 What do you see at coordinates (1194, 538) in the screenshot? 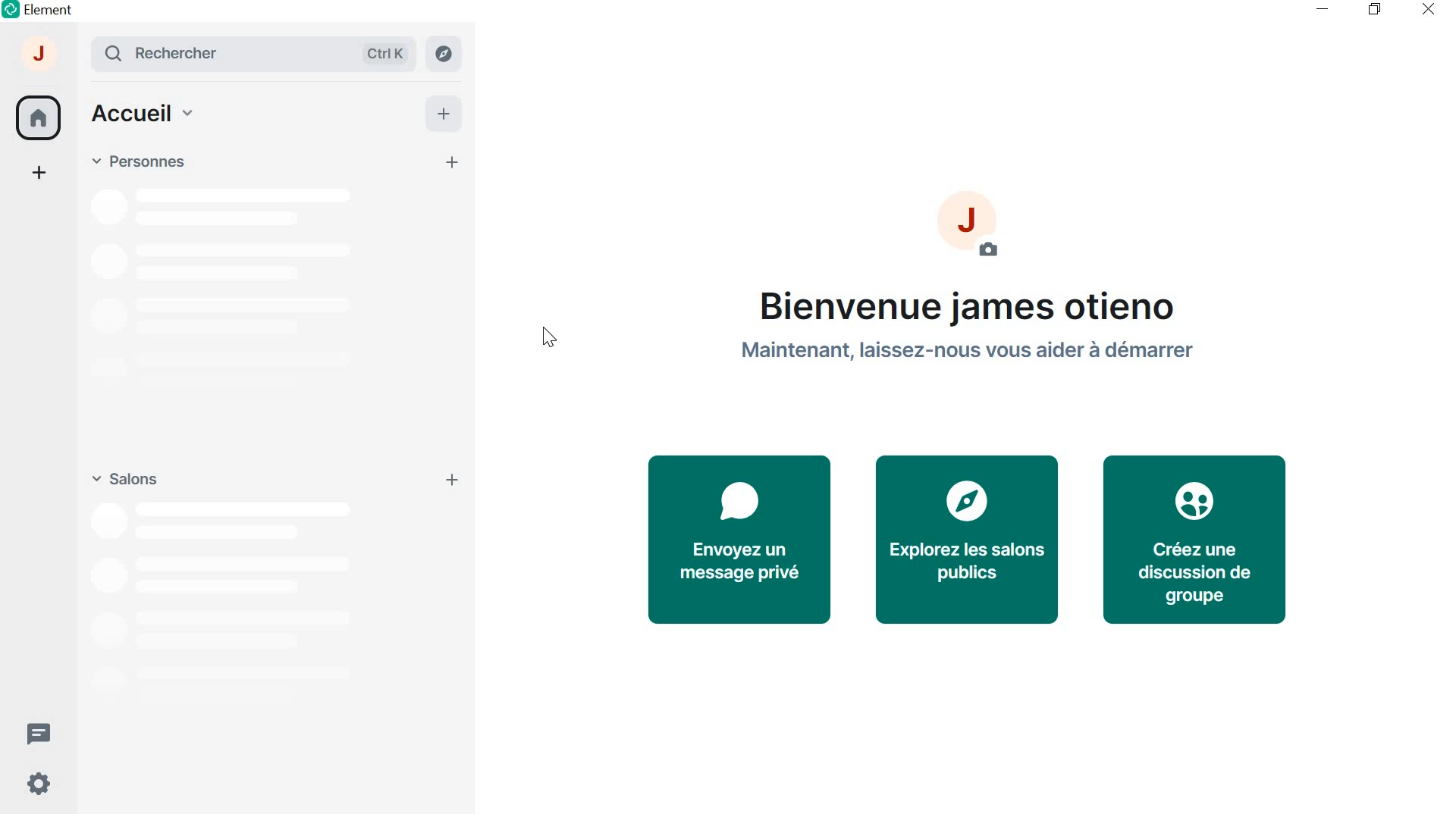
I see `creez une discussion de groupe` at bounding box center [1194, 538].